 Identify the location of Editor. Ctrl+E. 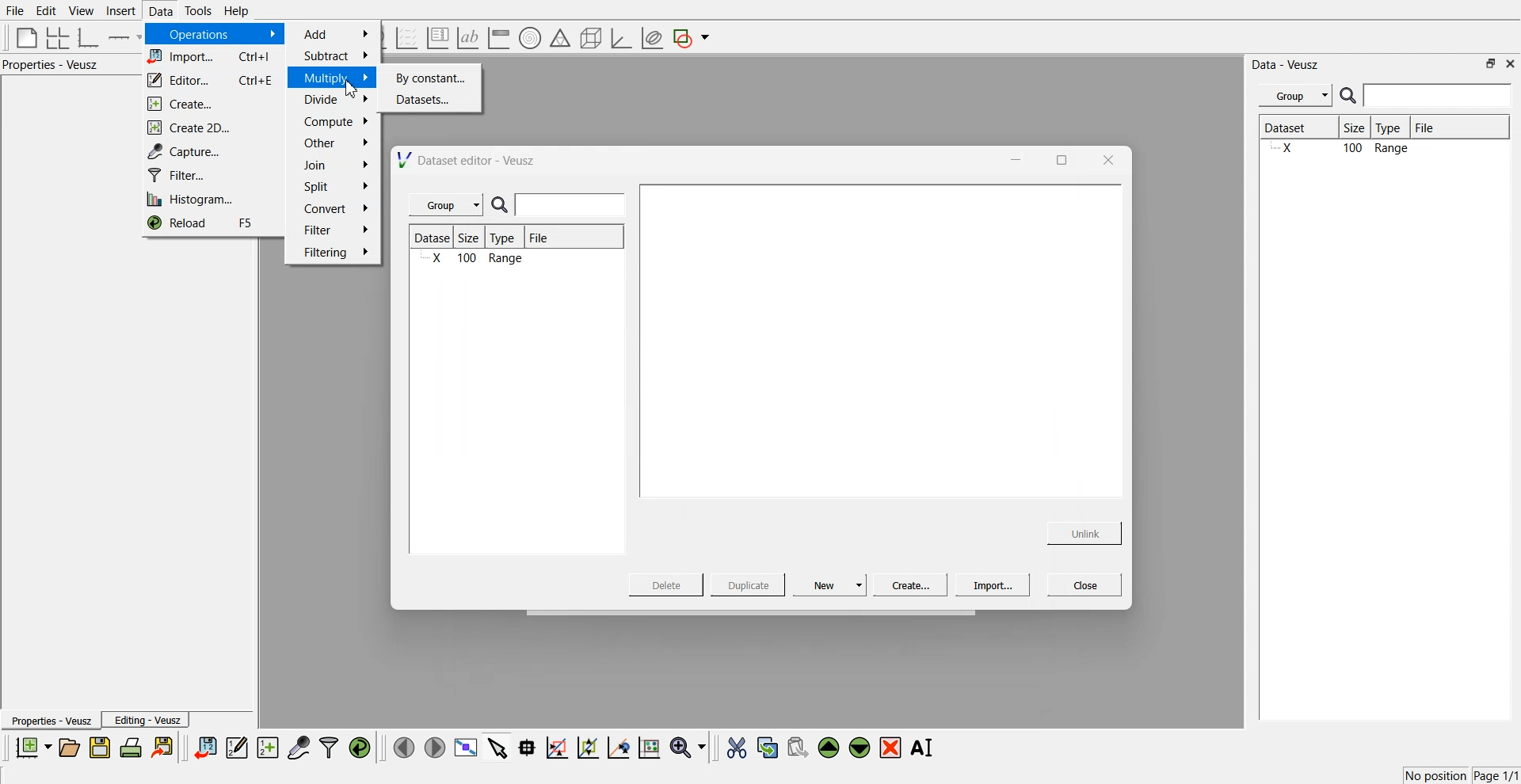
(212, 81).